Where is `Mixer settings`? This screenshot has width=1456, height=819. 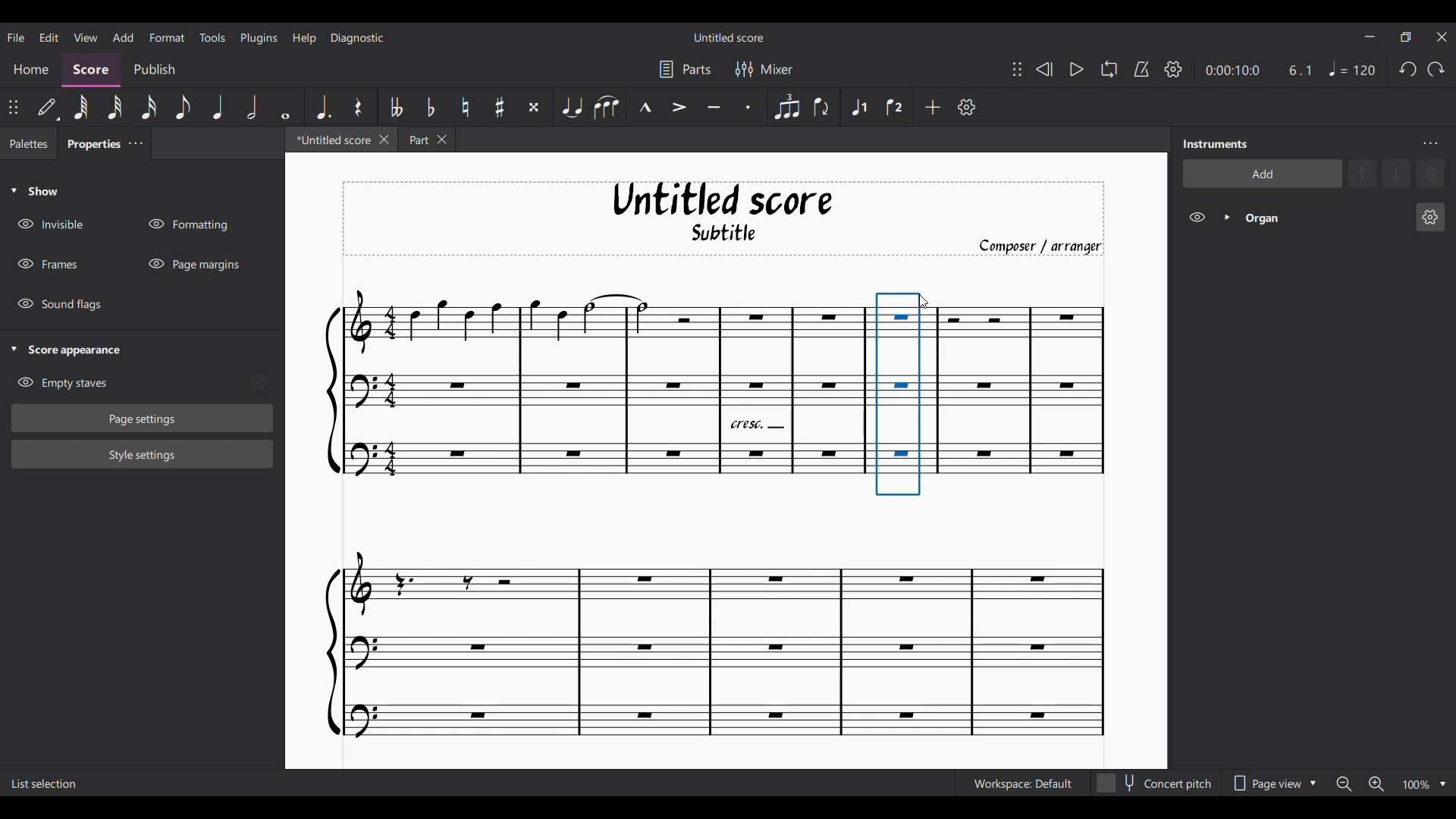 Mixer settings is located at coordinates (763, 69).